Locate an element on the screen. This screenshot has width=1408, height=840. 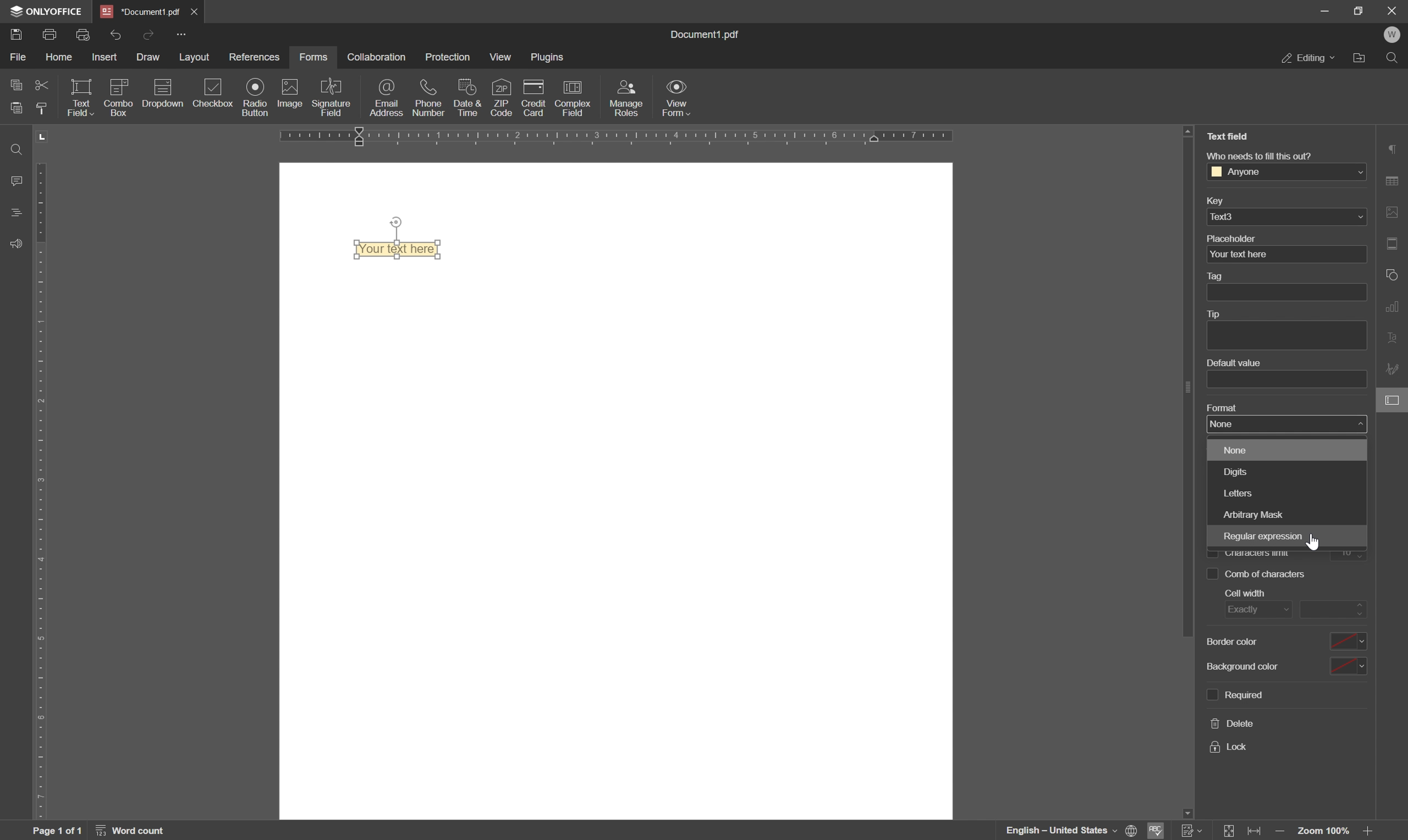
zoom in is located at coordinates (1370, 832).